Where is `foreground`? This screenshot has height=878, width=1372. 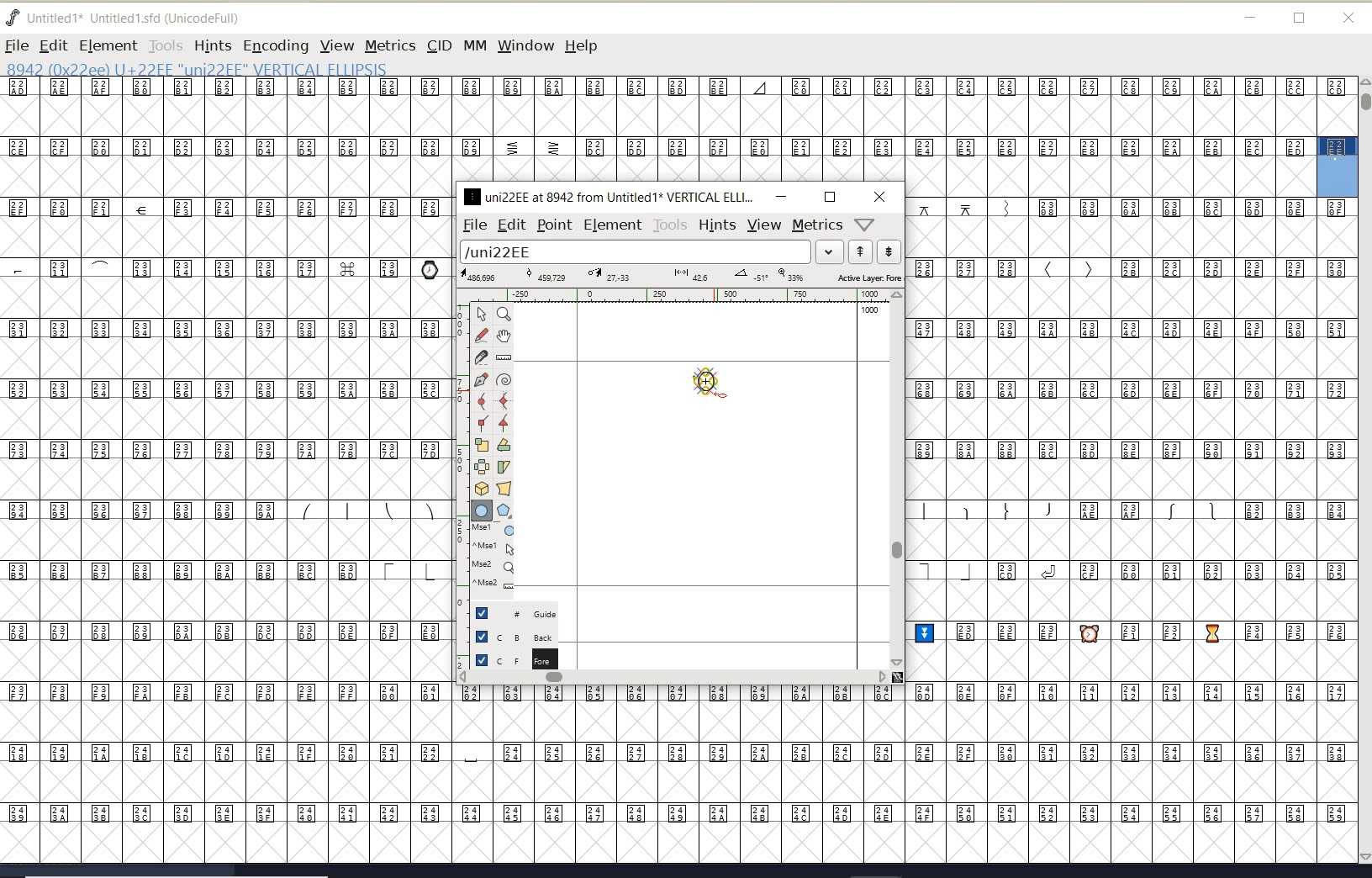 foreground is located at coordinates (514, 658).